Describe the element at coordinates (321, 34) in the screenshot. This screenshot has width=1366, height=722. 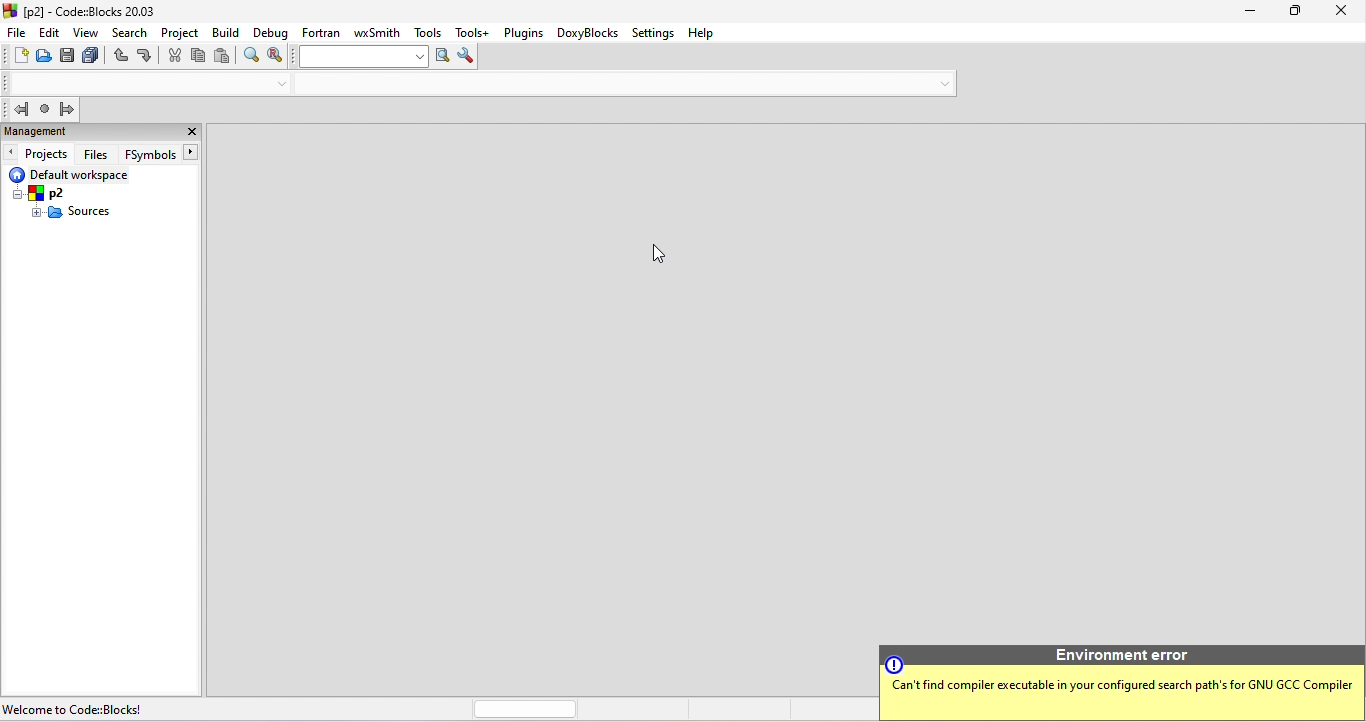
I see `fortran` at that location.